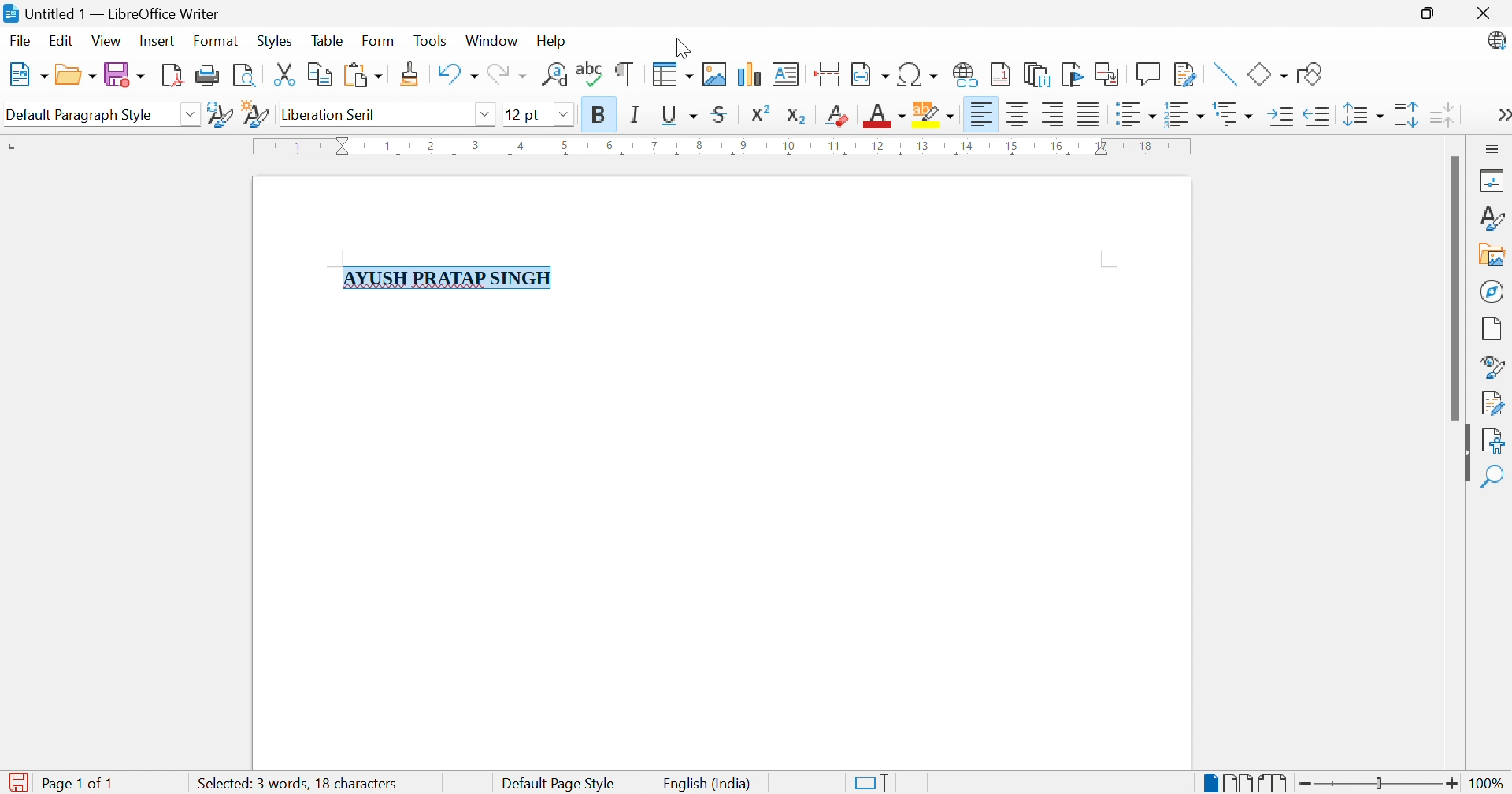 This screenshot has height=794, width=1512. Describe the element at coordinates (82, 783) in the screenshot. I see `Page 1 of 1` at that location.